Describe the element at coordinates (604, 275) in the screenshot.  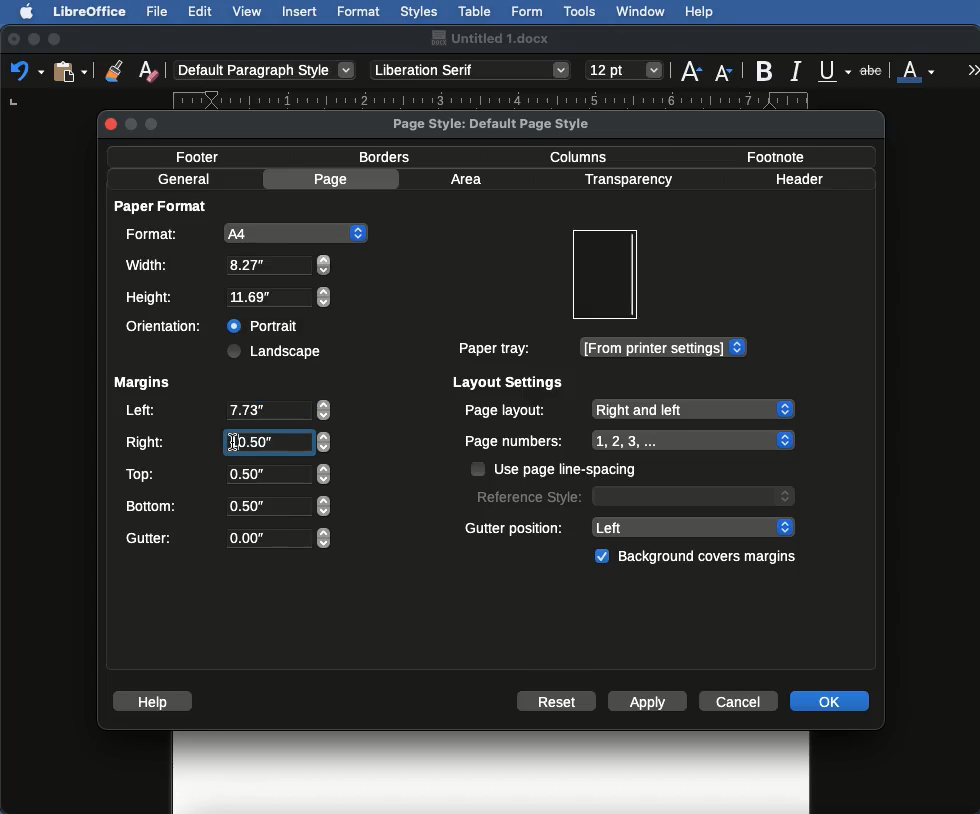
I see `Preview` at that location.